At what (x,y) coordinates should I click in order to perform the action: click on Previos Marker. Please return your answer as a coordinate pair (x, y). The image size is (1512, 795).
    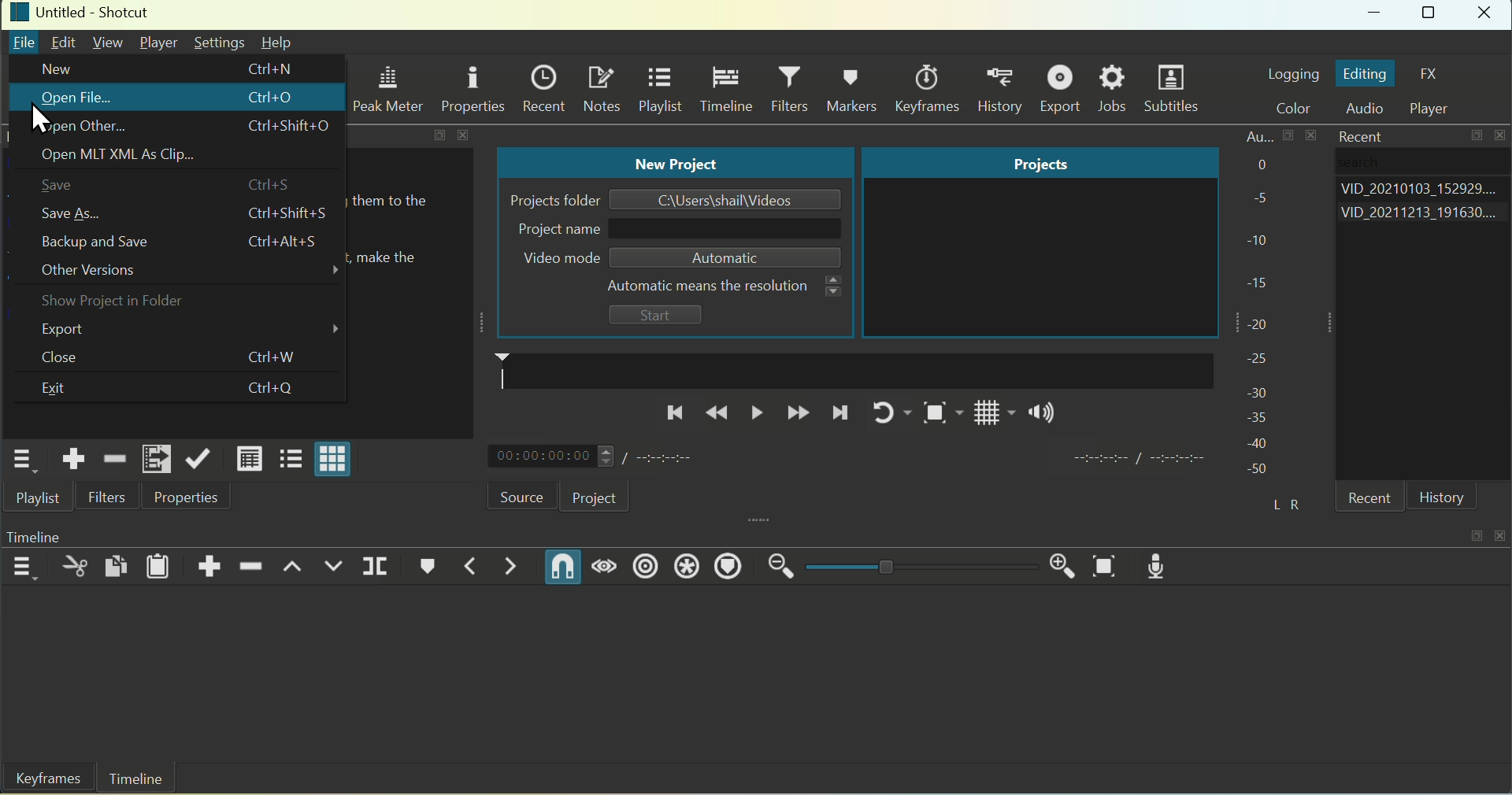
    Looking at the image, I should click on (464, 568).